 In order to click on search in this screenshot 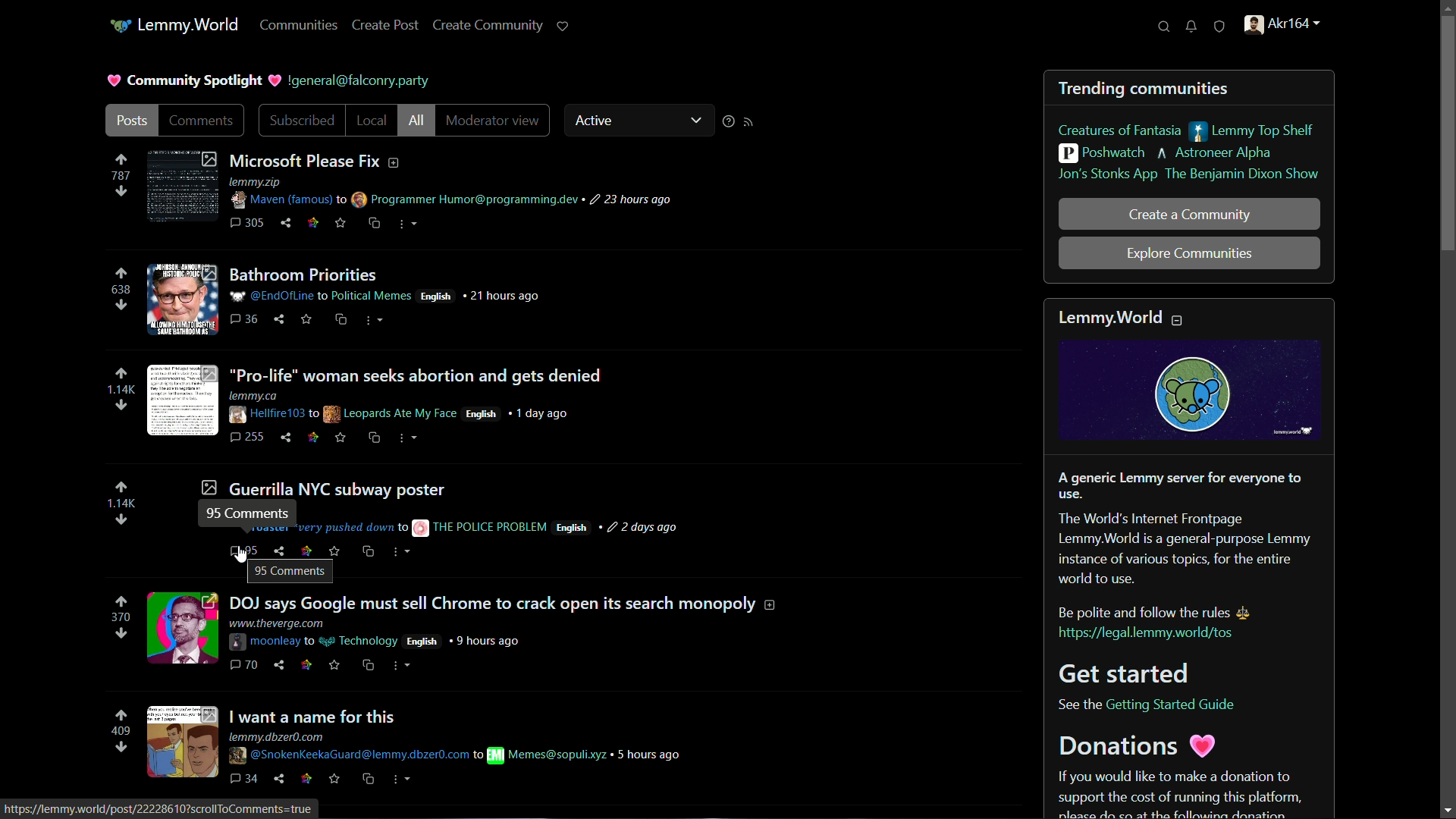, I will do `click(1164, 27)`.